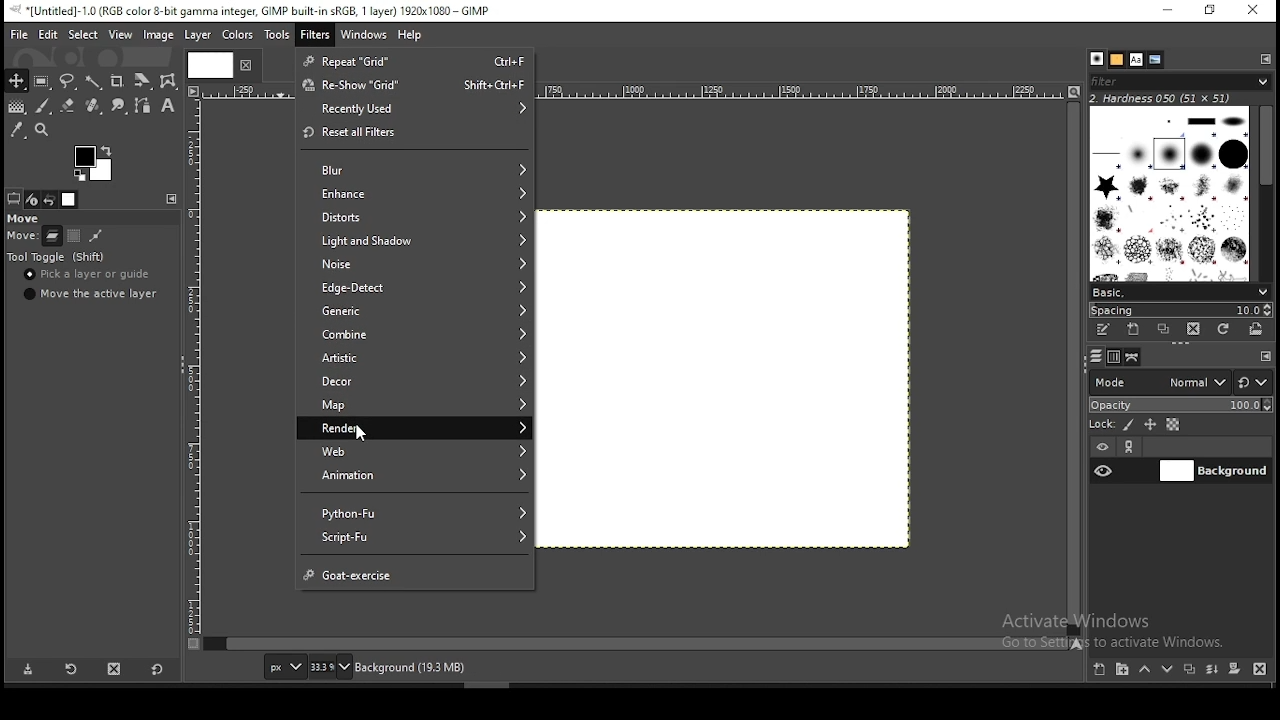 The width and height of the screenshot is (1280, 720). What do you see at coordinates (1183, 405) in the screenshot?
I see `opacity` at bounding box center [1183, 405].